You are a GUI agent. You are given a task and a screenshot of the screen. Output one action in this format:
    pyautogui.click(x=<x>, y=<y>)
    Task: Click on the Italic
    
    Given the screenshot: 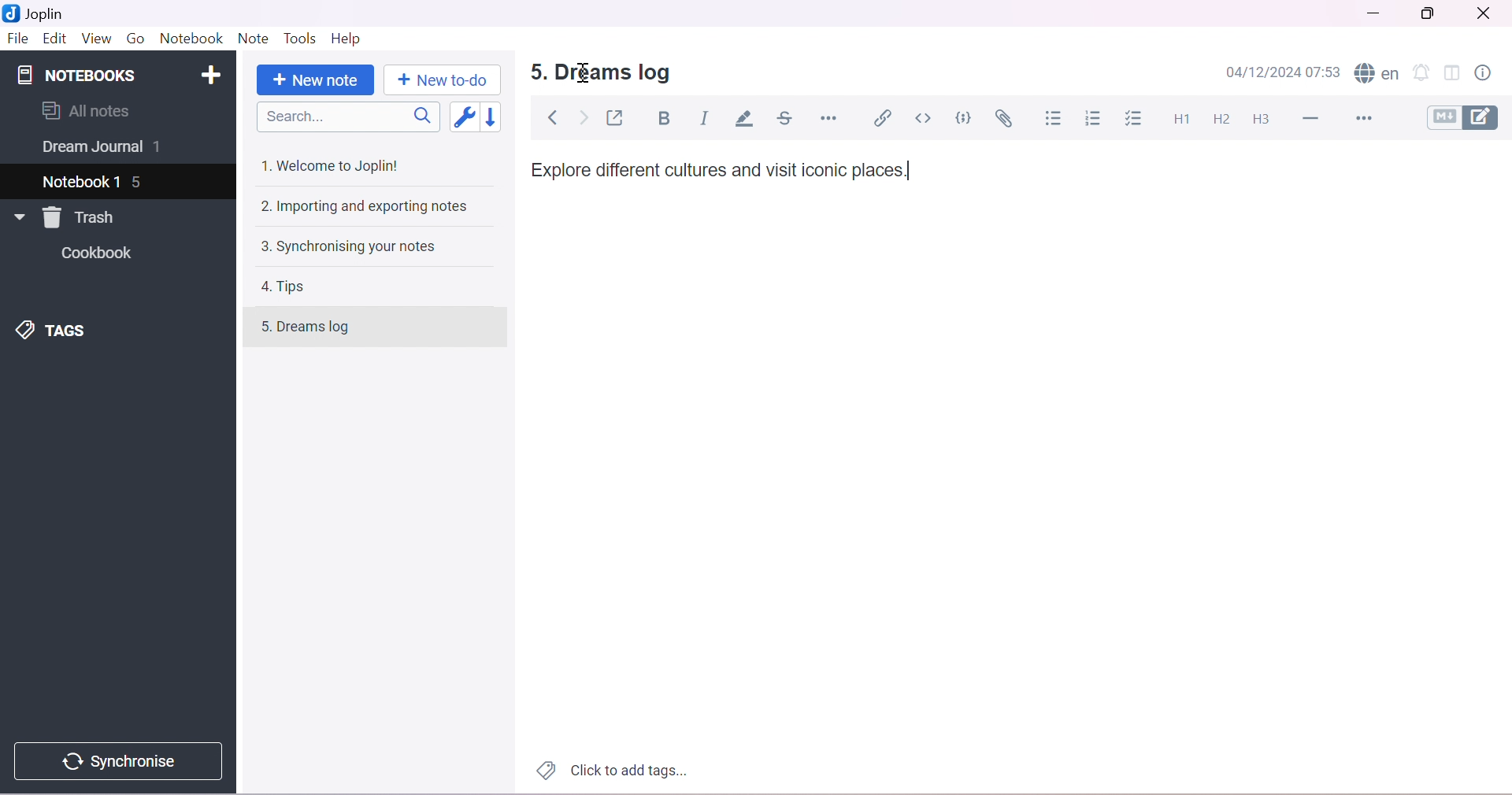 What is the action you would take?
    pyautogui.click(x=706, y=116)
    